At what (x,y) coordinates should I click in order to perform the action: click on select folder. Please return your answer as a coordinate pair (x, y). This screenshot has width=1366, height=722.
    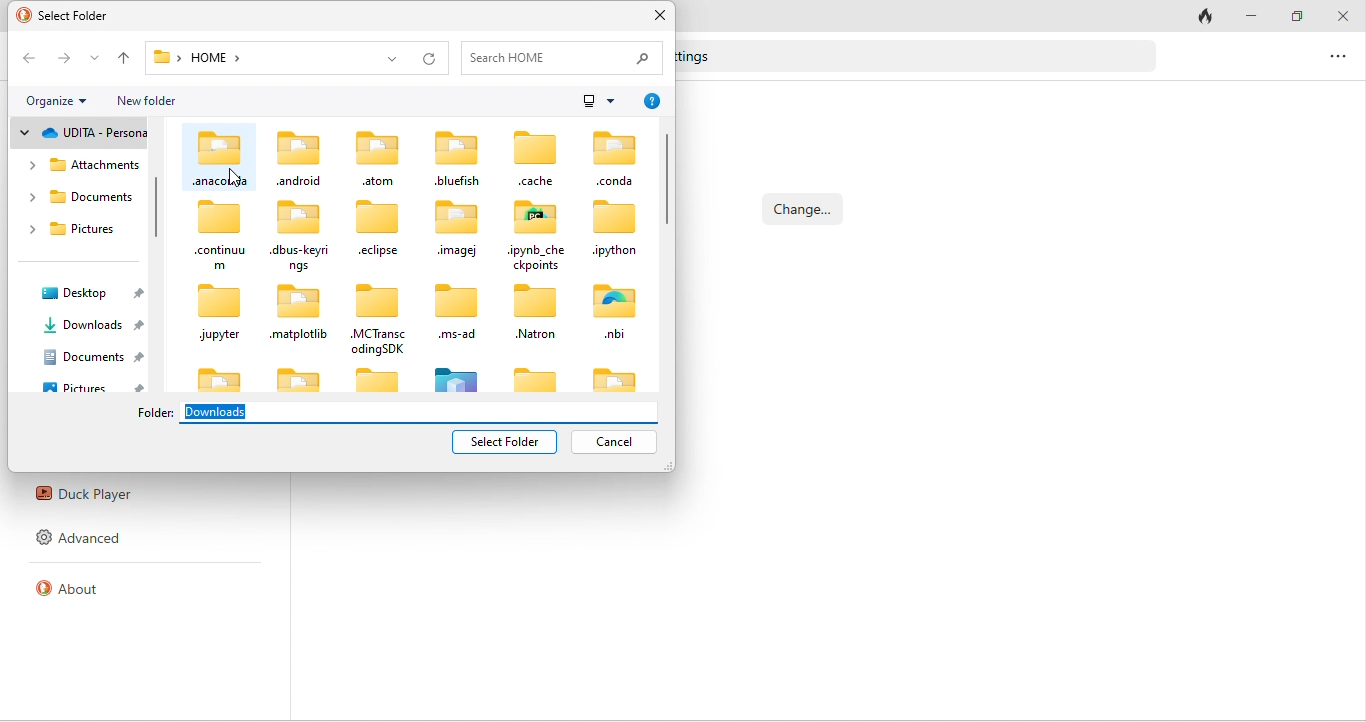
    Looking at the image, I should click on (507, 440).